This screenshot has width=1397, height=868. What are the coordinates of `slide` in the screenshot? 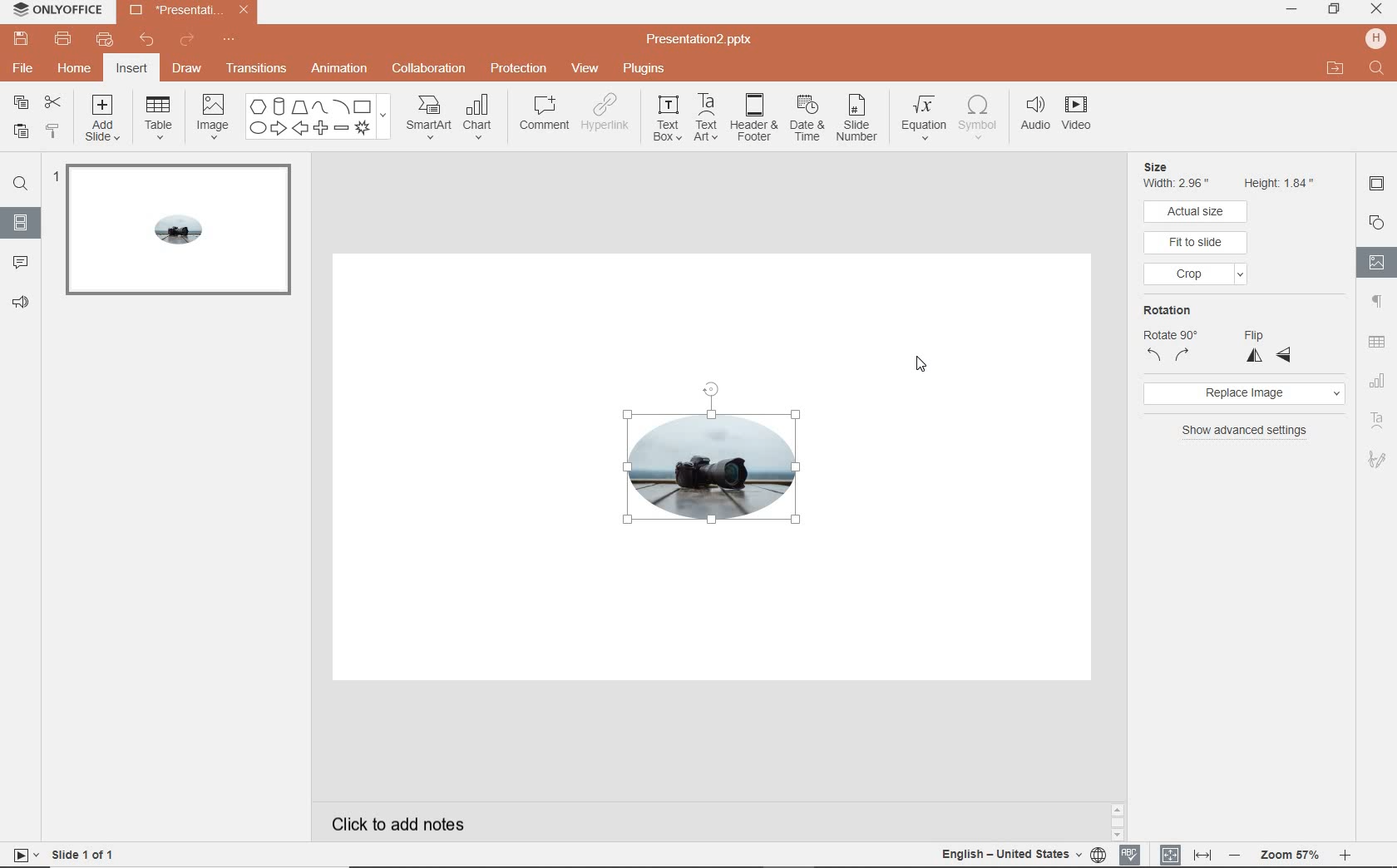 It's located at (175, 236).